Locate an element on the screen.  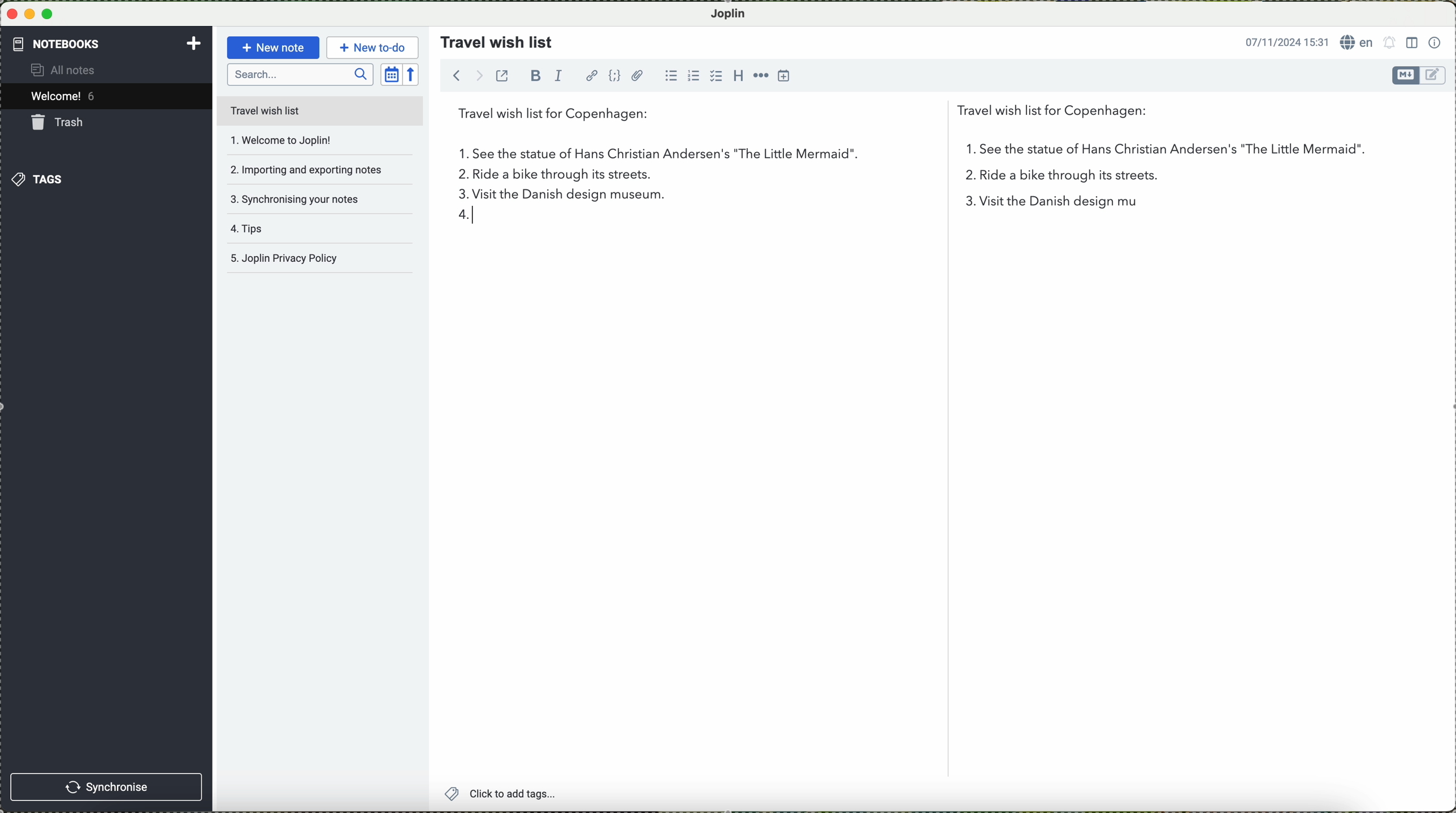
date and hour is located at coordinates (1283, 41).